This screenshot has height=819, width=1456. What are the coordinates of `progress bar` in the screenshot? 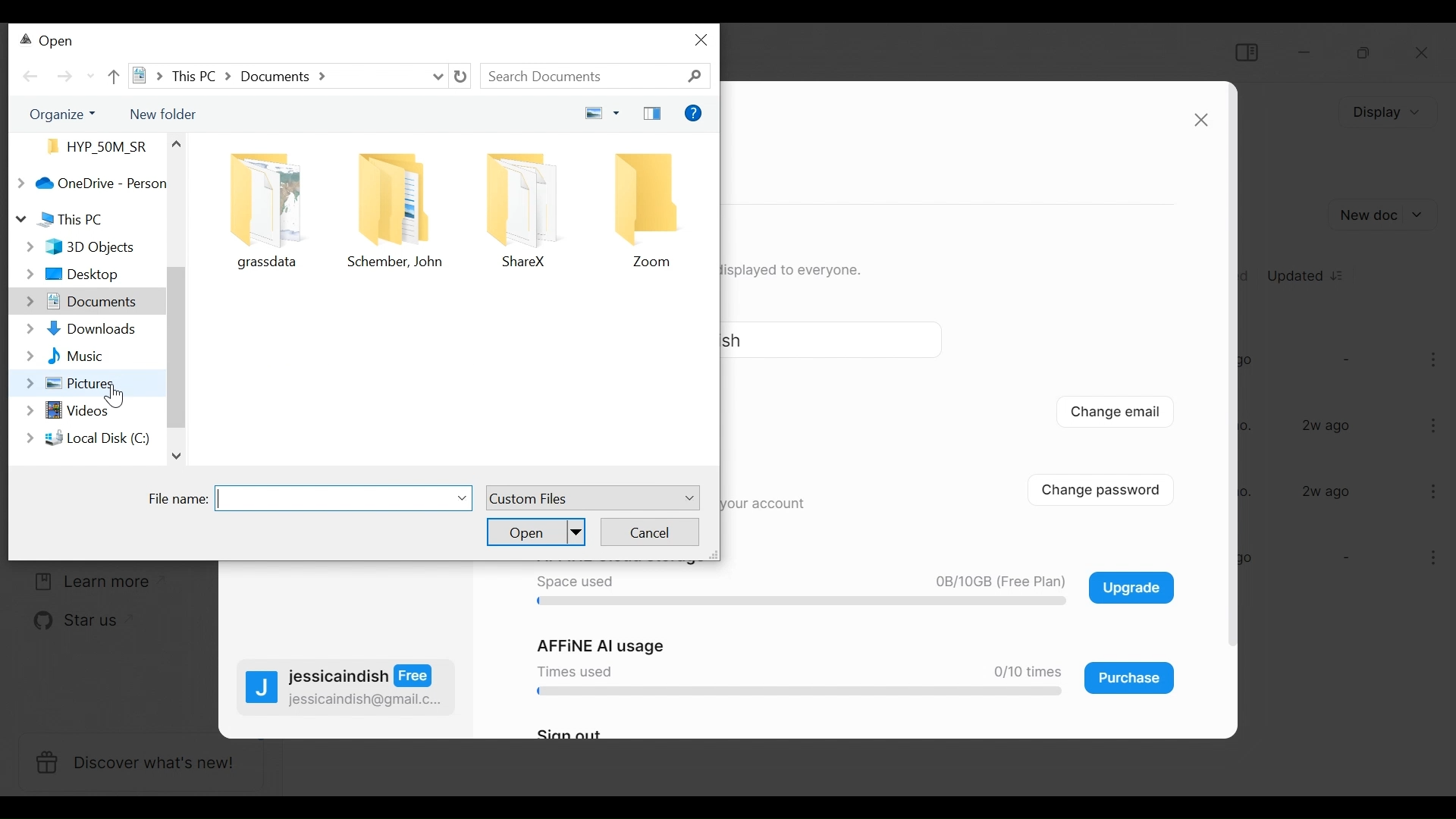 It's located at (794, 692).